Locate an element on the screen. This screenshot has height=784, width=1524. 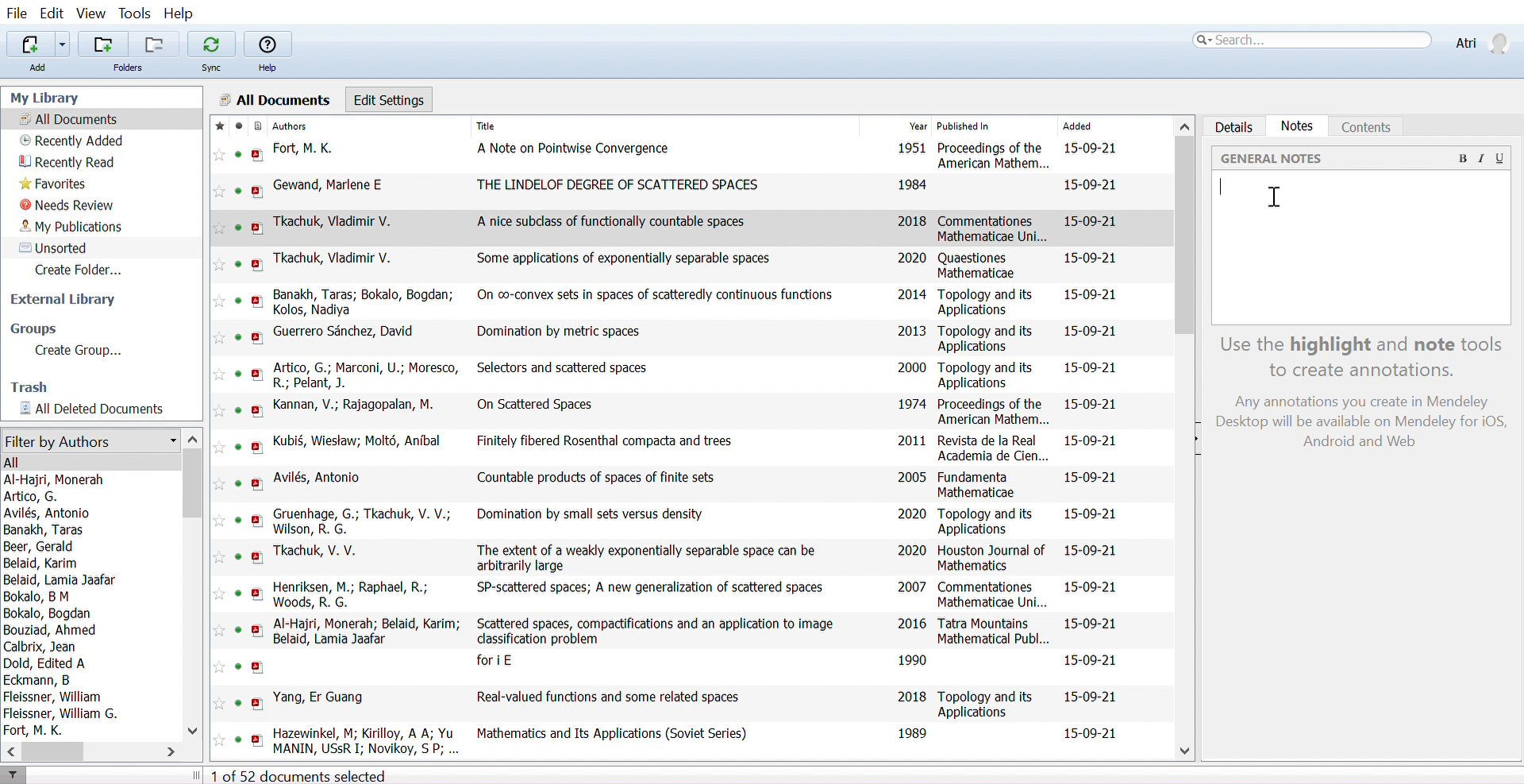
Artico, G. is located at coordinates (33, 497).